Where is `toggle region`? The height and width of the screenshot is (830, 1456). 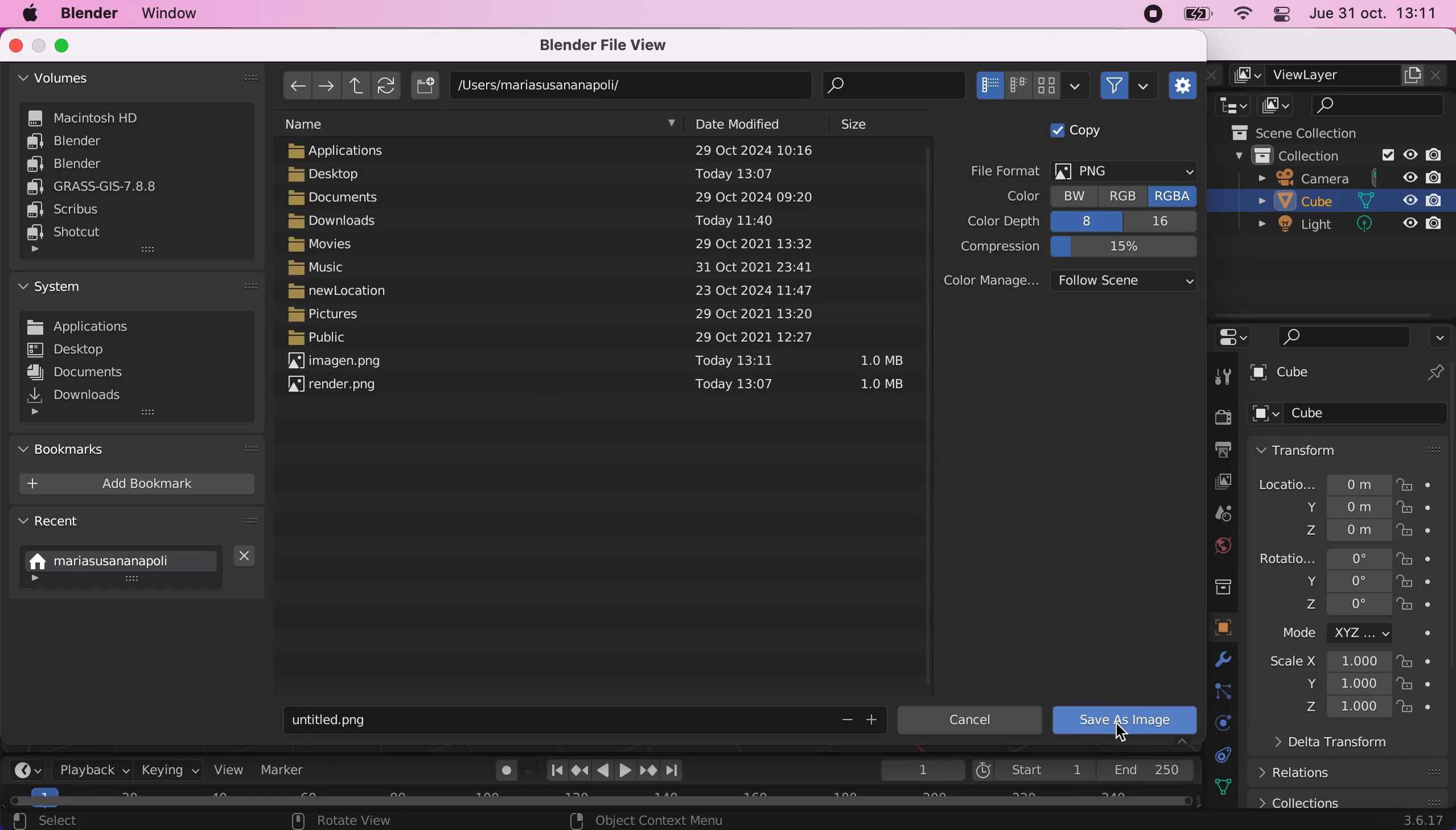 toggle region is located at coordinates (1184, 88).